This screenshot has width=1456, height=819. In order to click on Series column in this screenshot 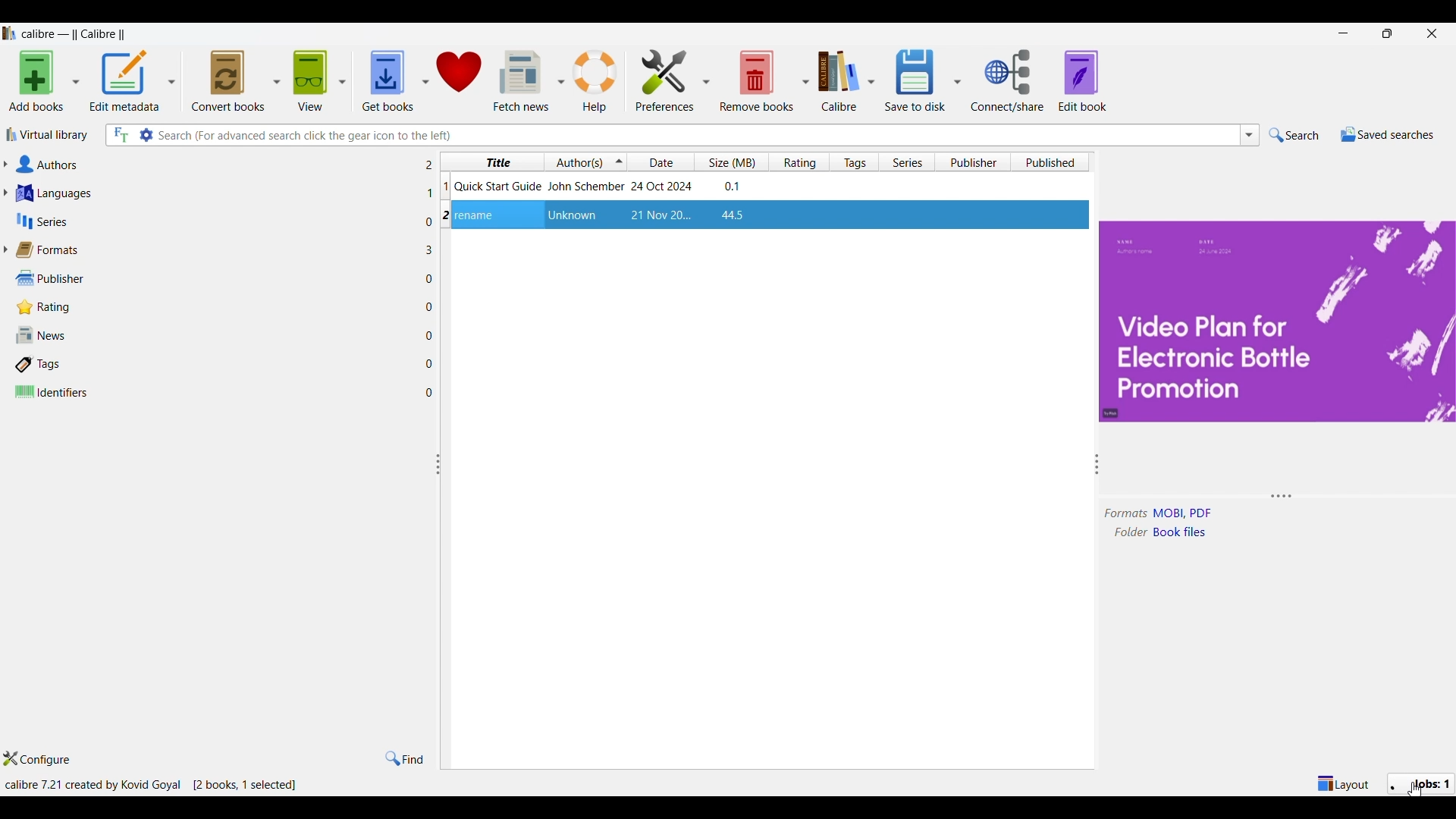, I will do `click(907, 162)`.